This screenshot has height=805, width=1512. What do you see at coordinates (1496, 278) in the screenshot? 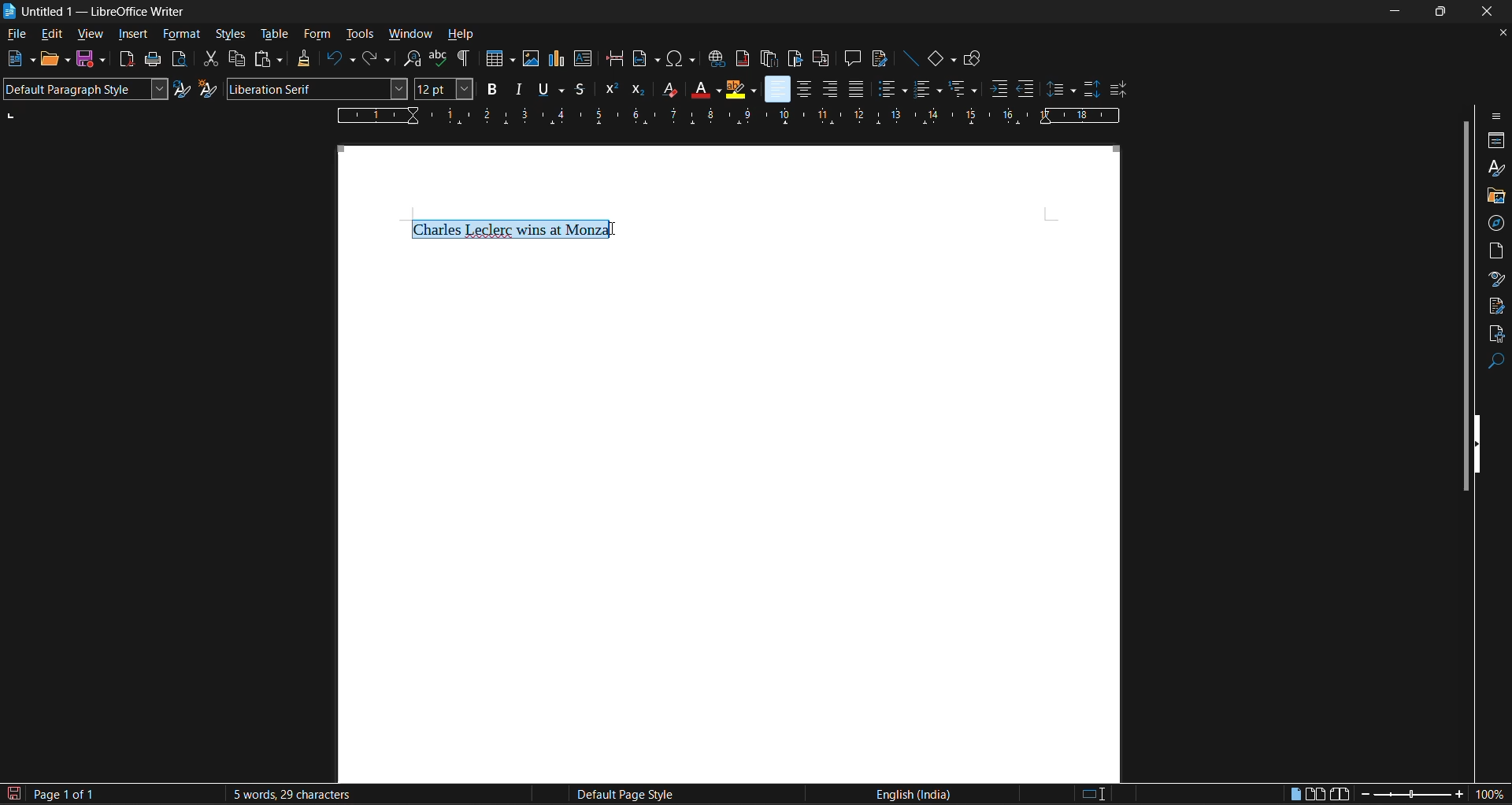
I see `style inspector` at bounding box center [1496, 278].